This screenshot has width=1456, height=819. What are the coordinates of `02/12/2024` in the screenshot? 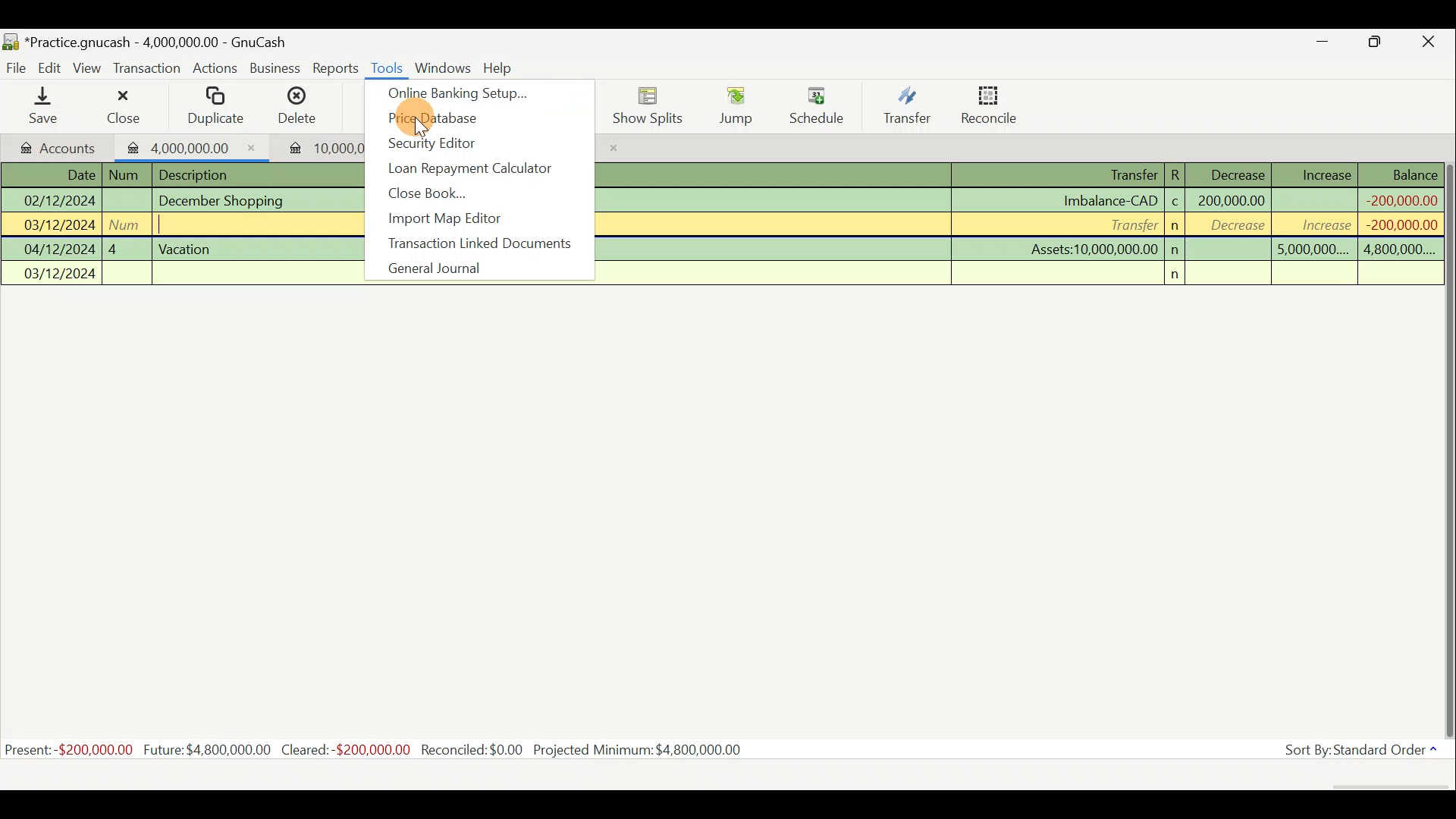 It's located at (58, 199).